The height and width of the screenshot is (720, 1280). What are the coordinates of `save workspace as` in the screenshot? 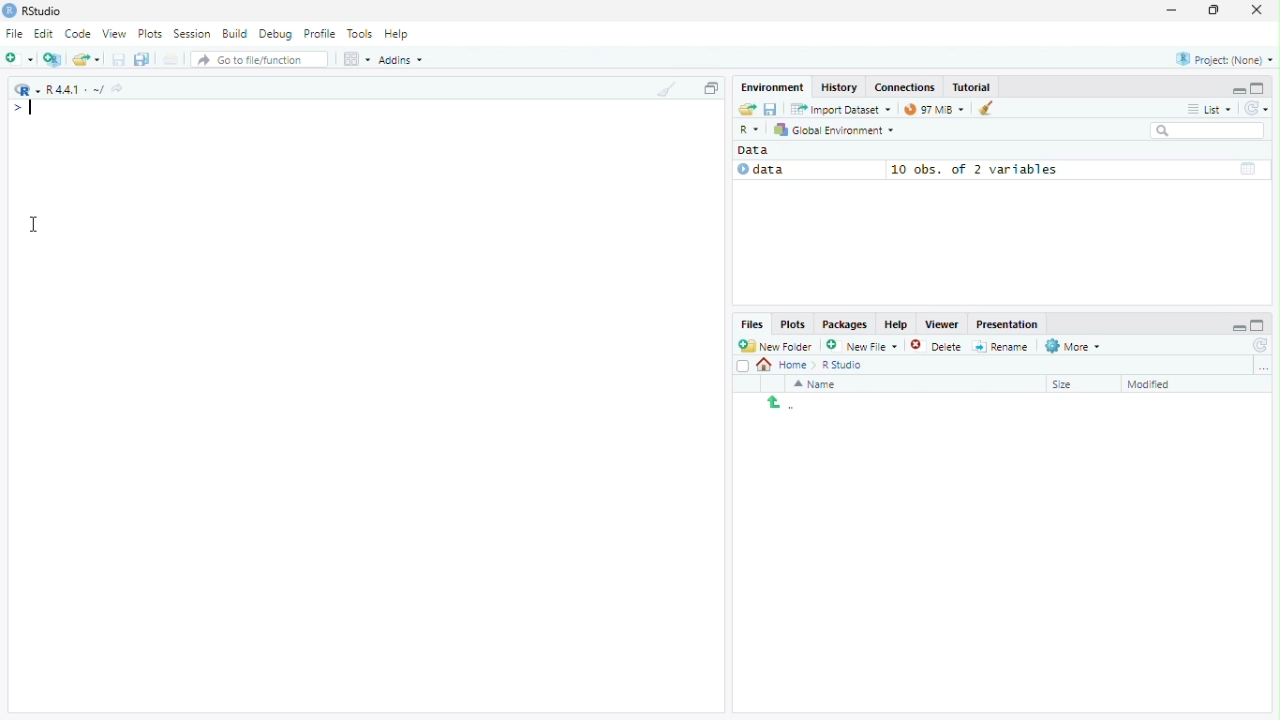 It's located at (773, 110).